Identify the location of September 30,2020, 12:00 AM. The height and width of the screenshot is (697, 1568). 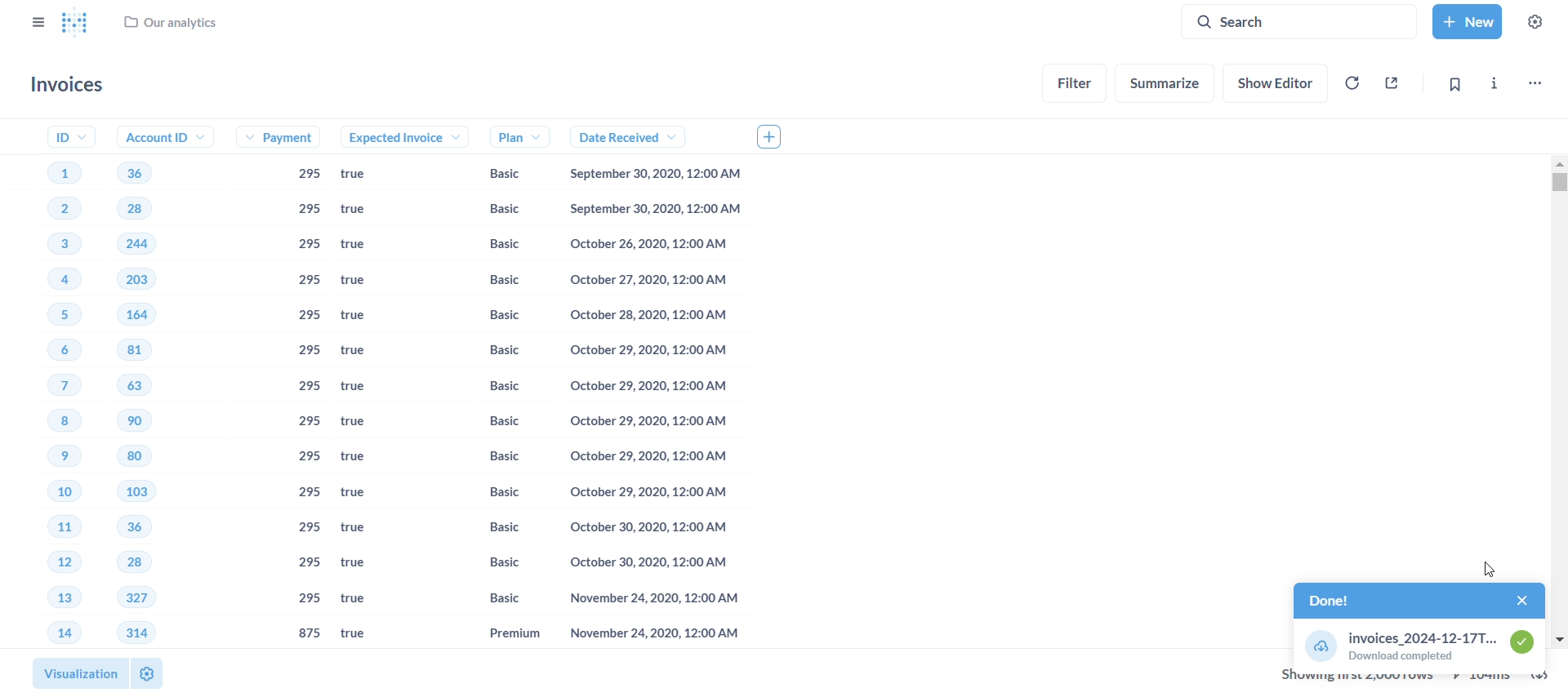
(660, 209).